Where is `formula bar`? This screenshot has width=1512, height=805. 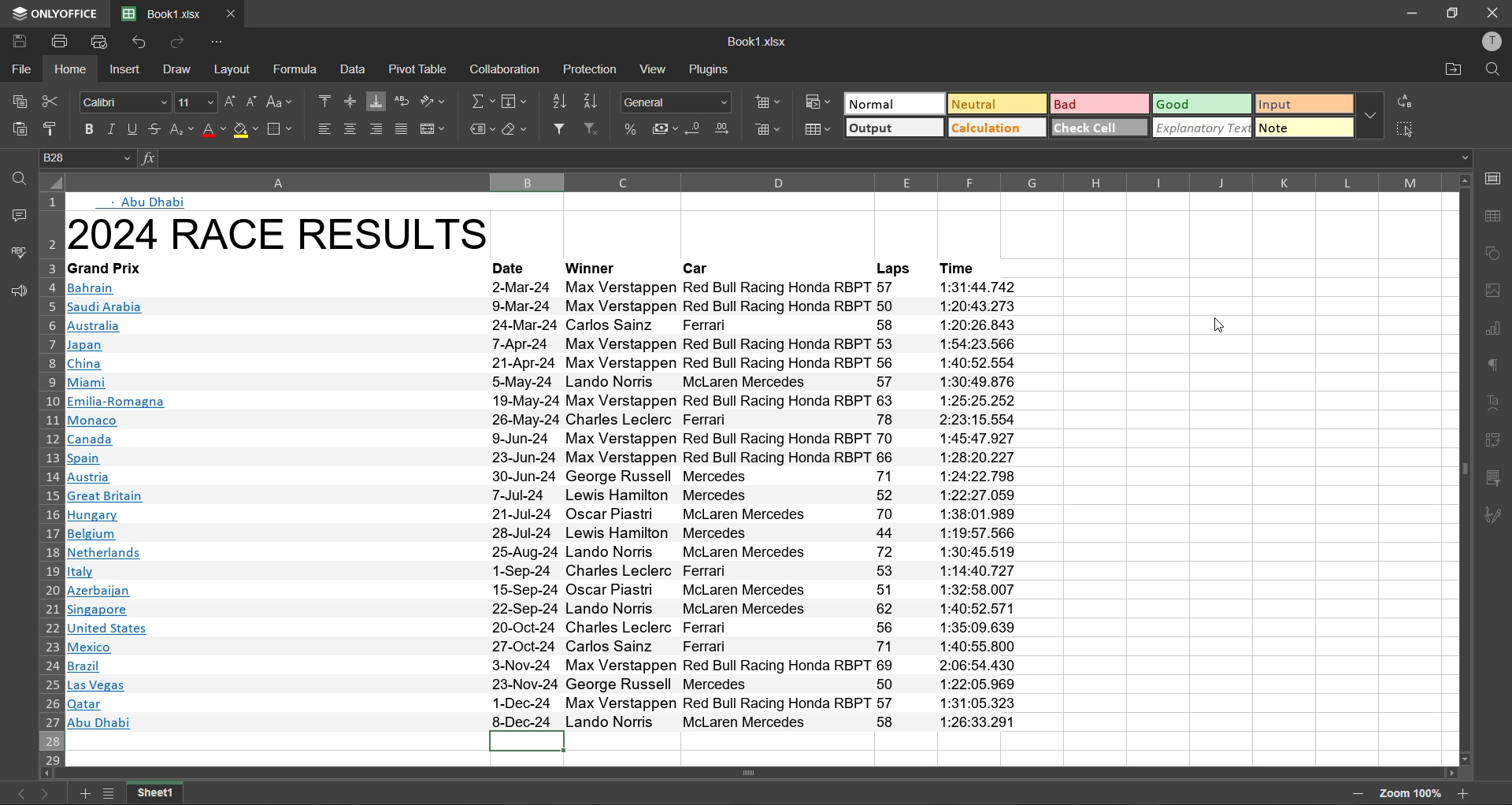 formula bar is located at coordinates (821, 159).